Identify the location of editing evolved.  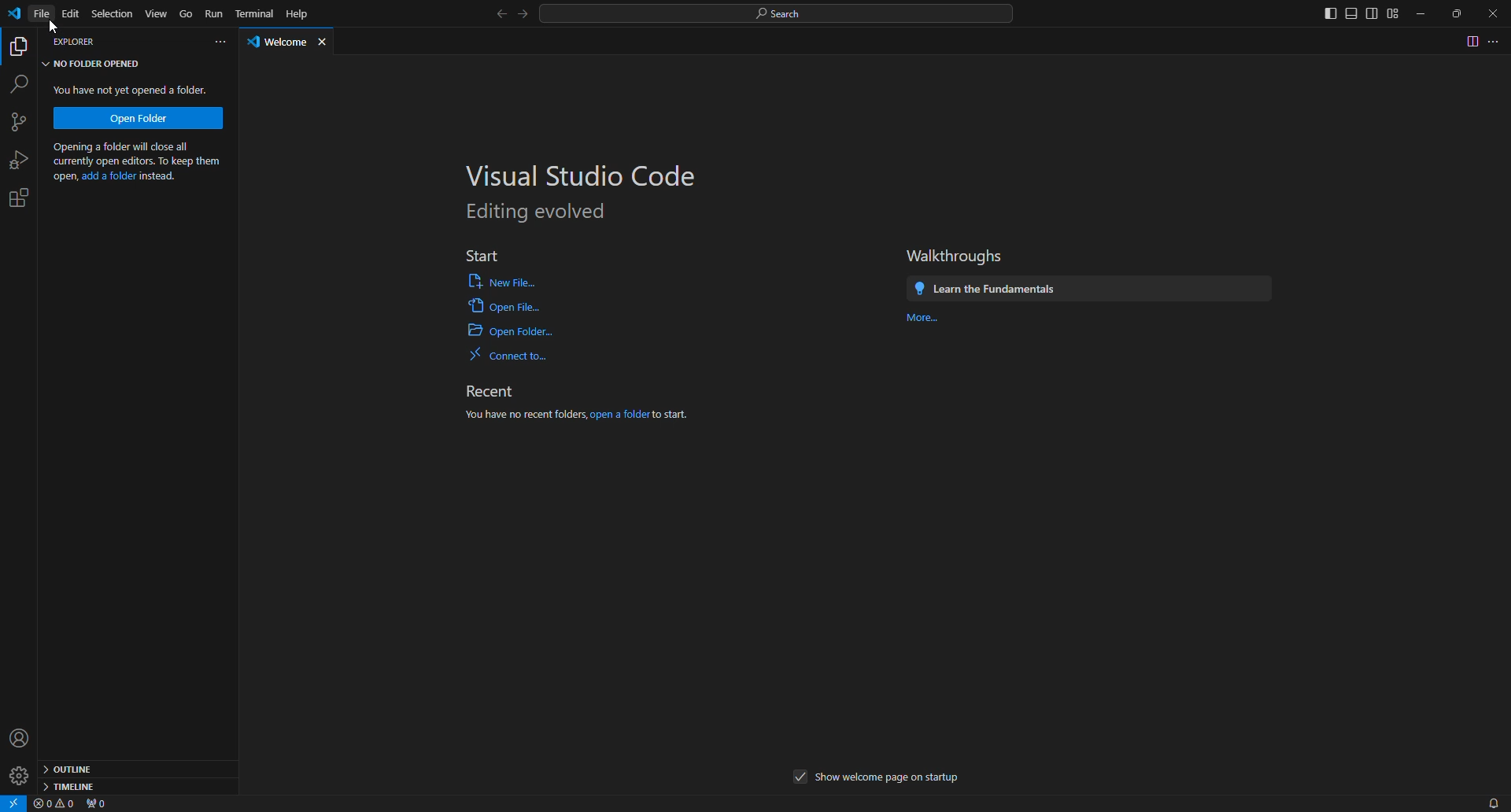
(538, 212).